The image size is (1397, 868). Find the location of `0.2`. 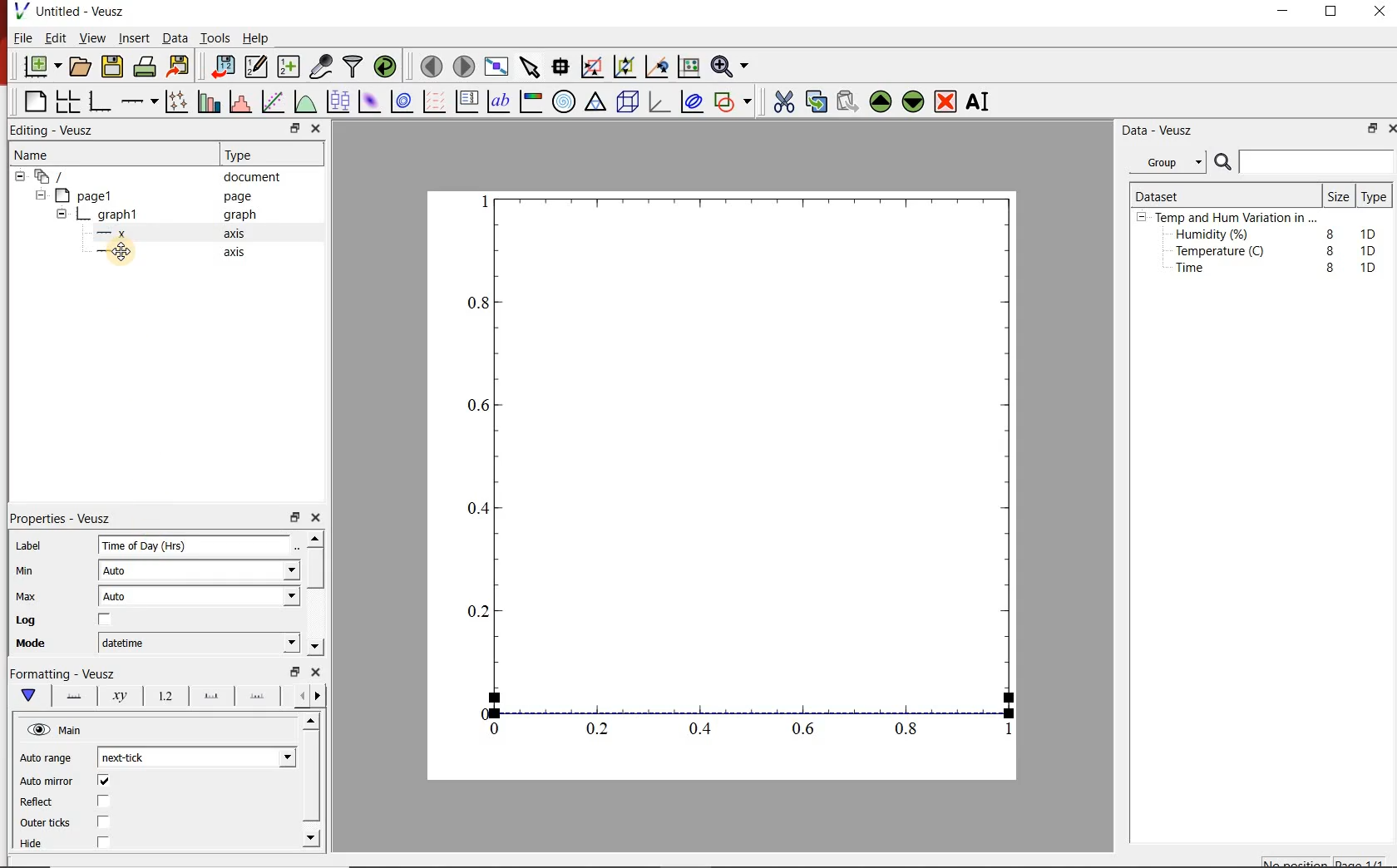

0.2 is located at coordinates (476, 611).